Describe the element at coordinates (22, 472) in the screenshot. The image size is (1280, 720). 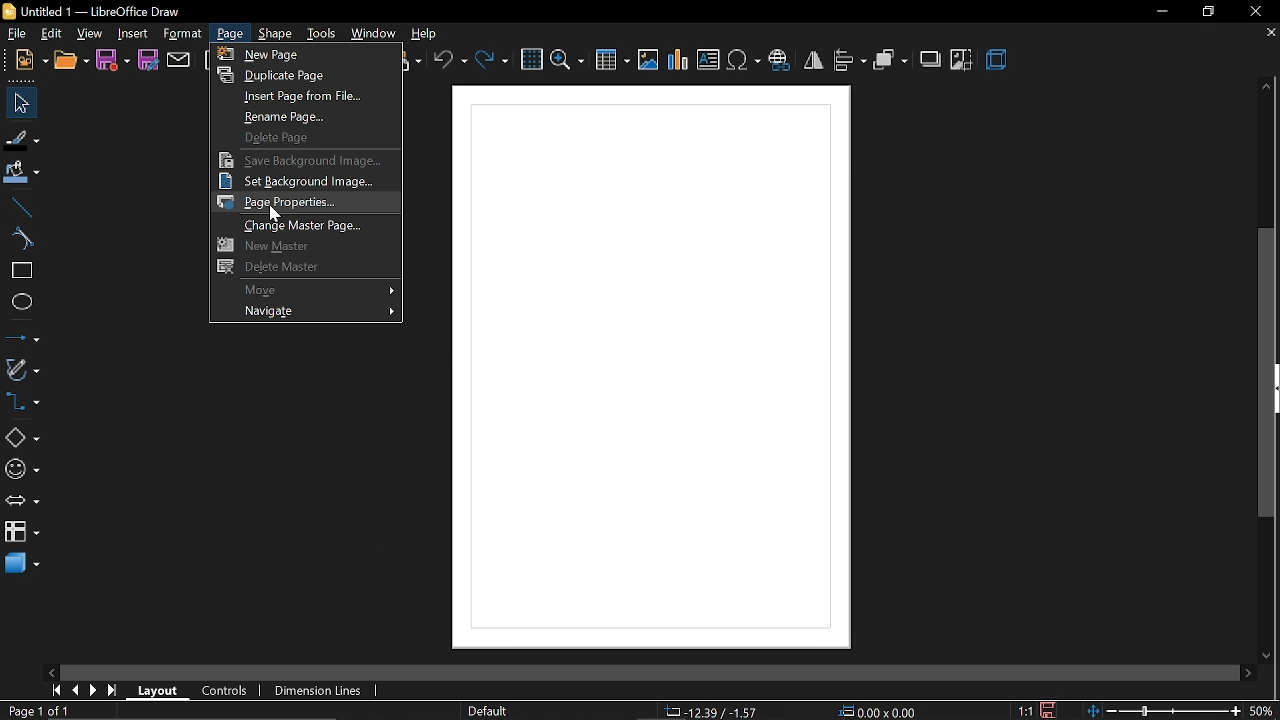
I see `symbol shapes` at that location.